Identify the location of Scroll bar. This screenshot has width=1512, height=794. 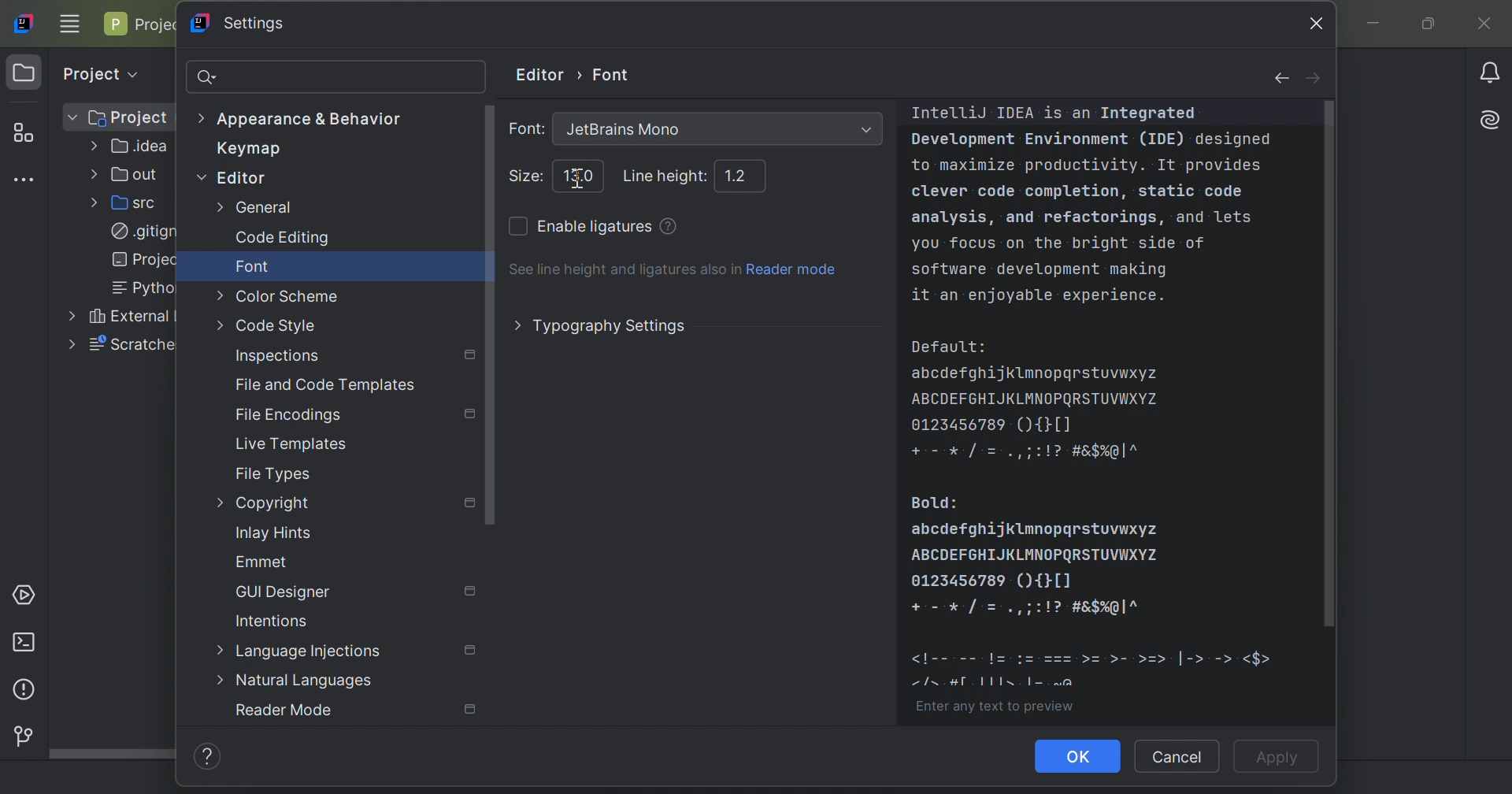
(491, 314).